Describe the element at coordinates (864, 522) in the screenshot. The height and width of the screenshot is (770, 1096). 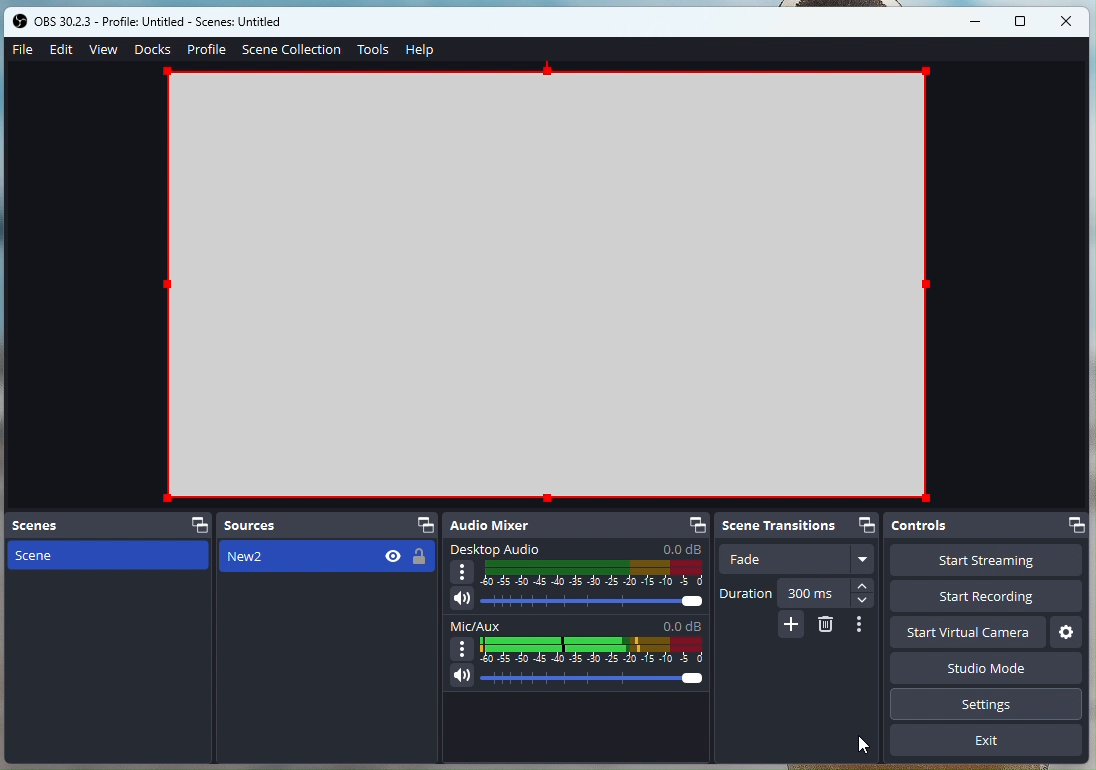
I see `Dock options` at that location.